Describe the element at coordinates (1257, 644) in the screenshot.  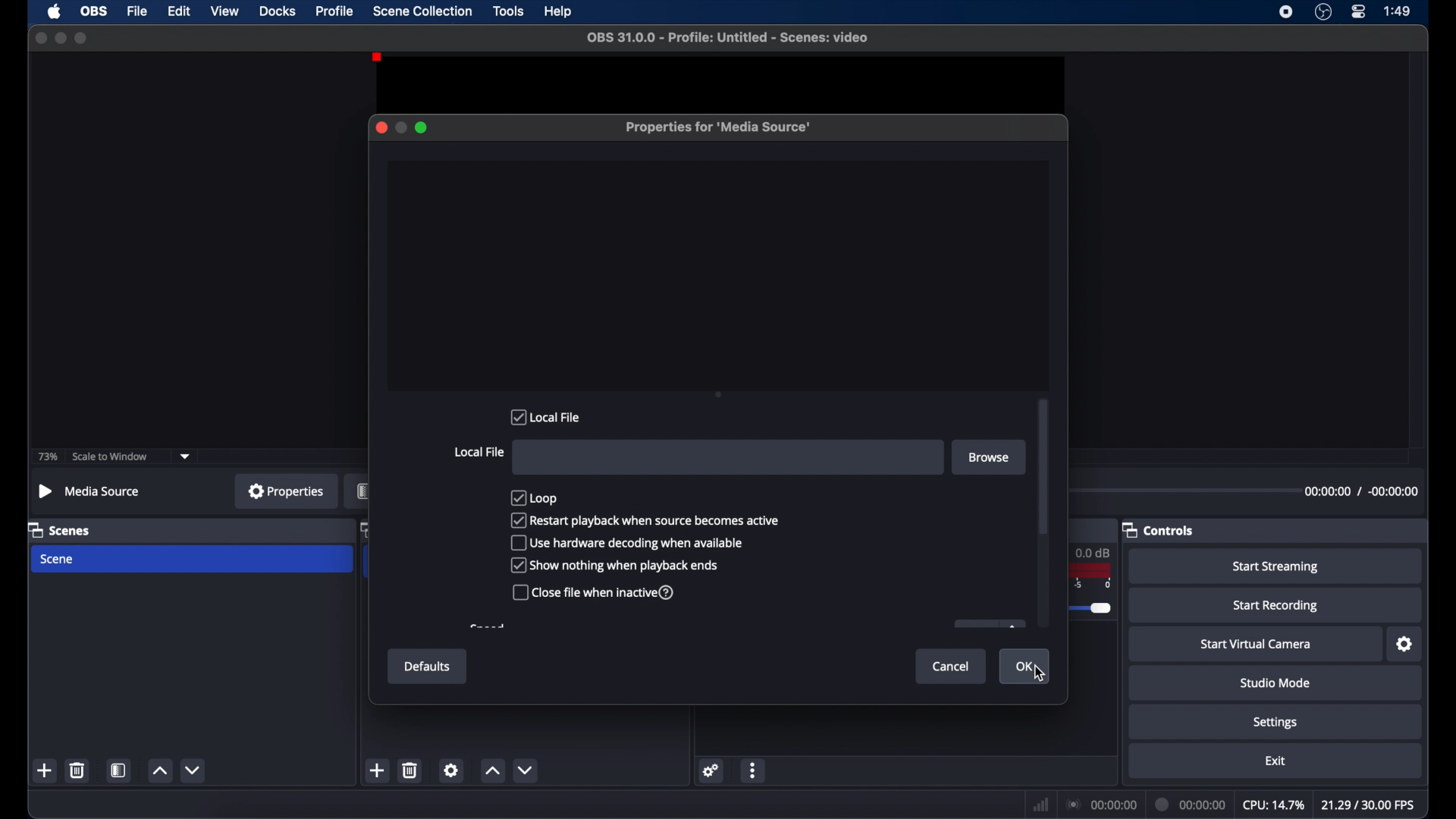
I see `start virtual camera` at that location.